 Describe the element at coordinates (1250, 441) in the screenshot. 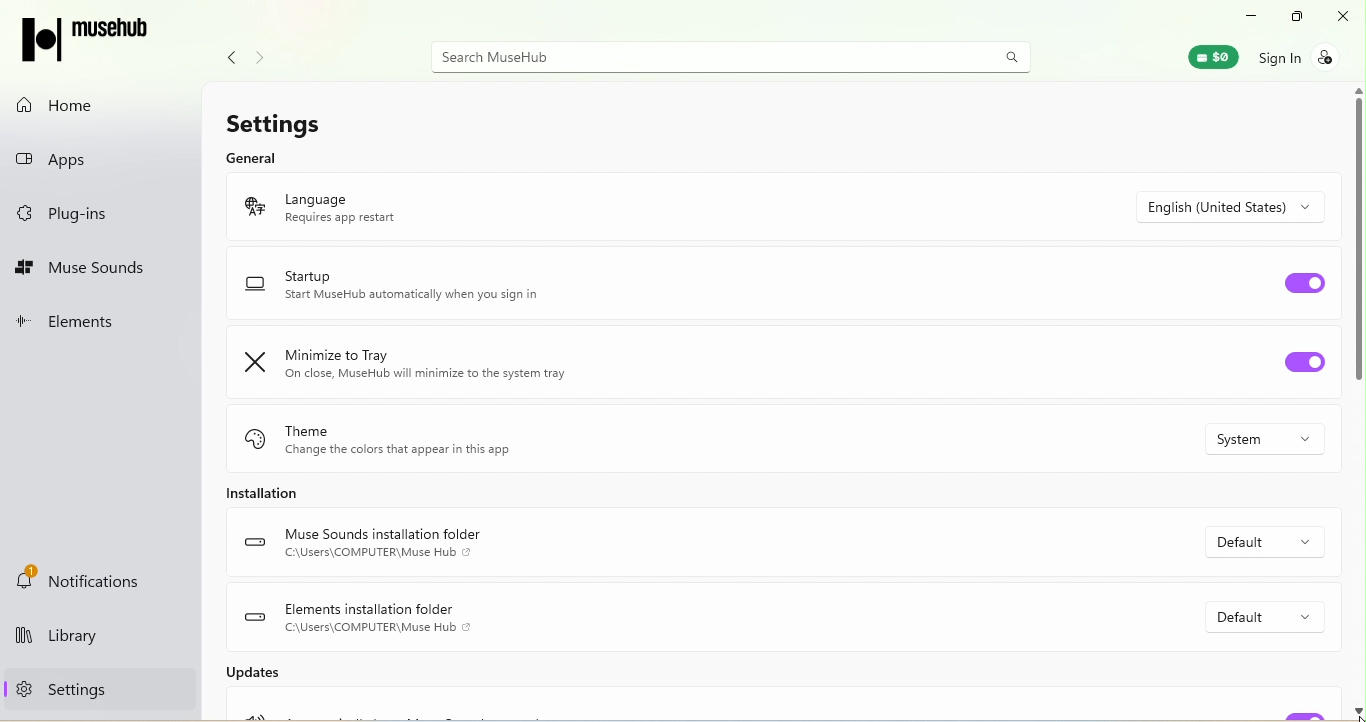

I see `Drop down menu` at that location.